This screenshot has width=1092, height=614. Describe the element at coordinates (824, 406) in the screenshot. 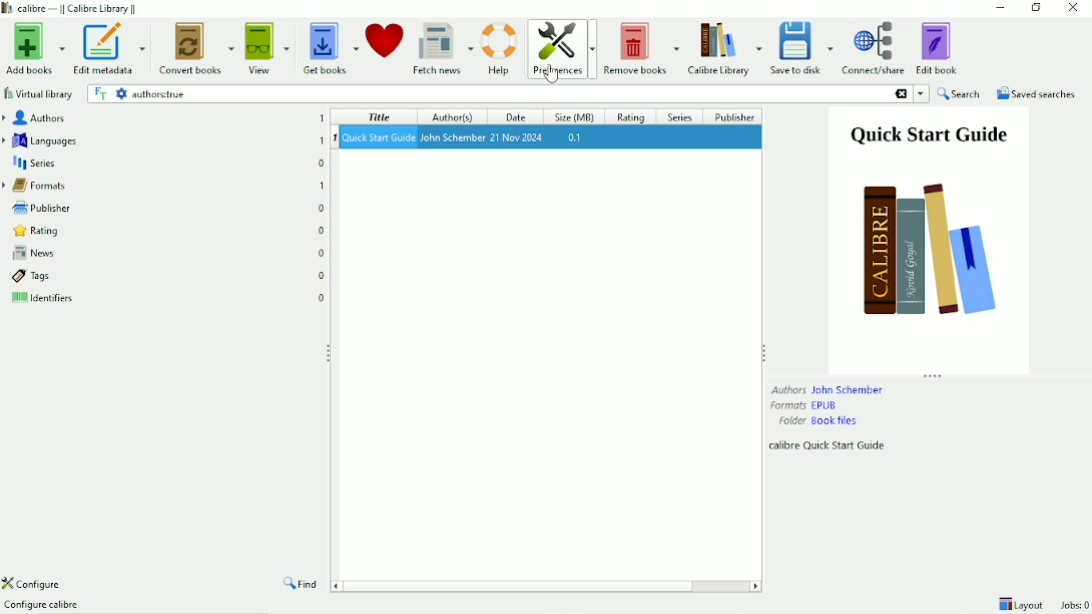

I see `EPUB` at that location.